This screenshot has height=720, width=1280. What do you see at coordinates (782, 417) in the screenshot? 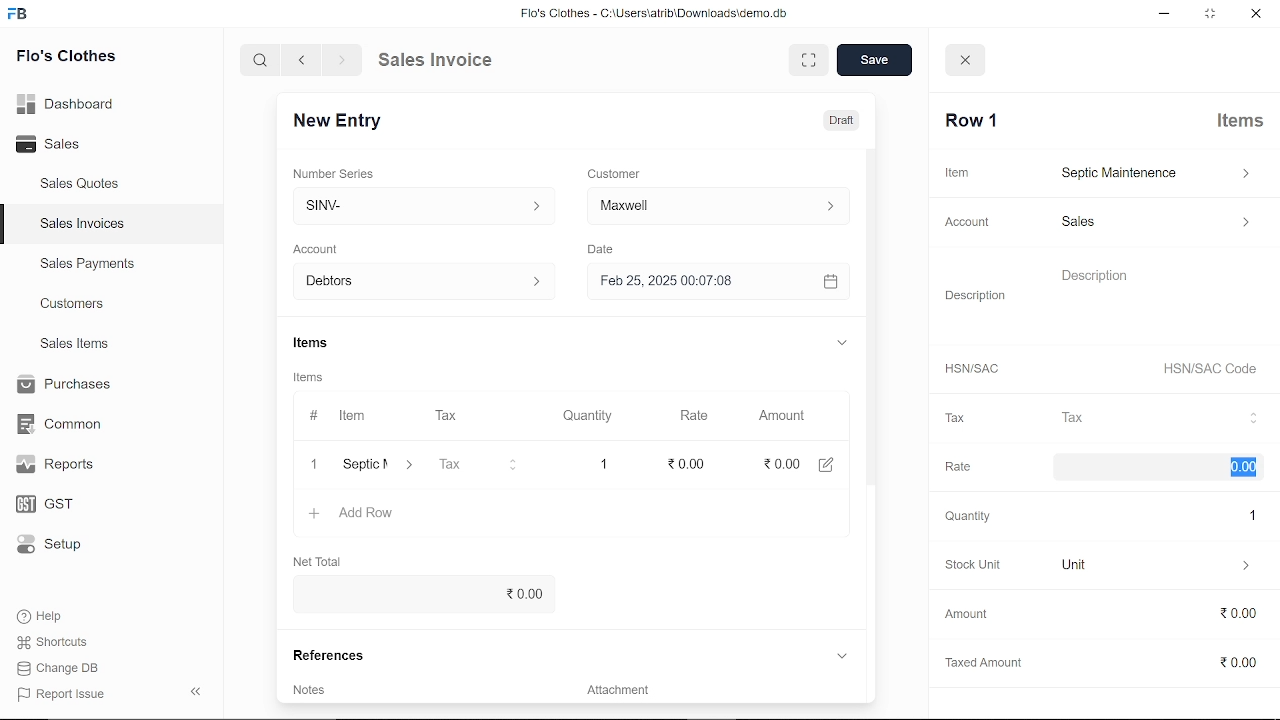
I see `Amount` at bounding box center [782, 417].